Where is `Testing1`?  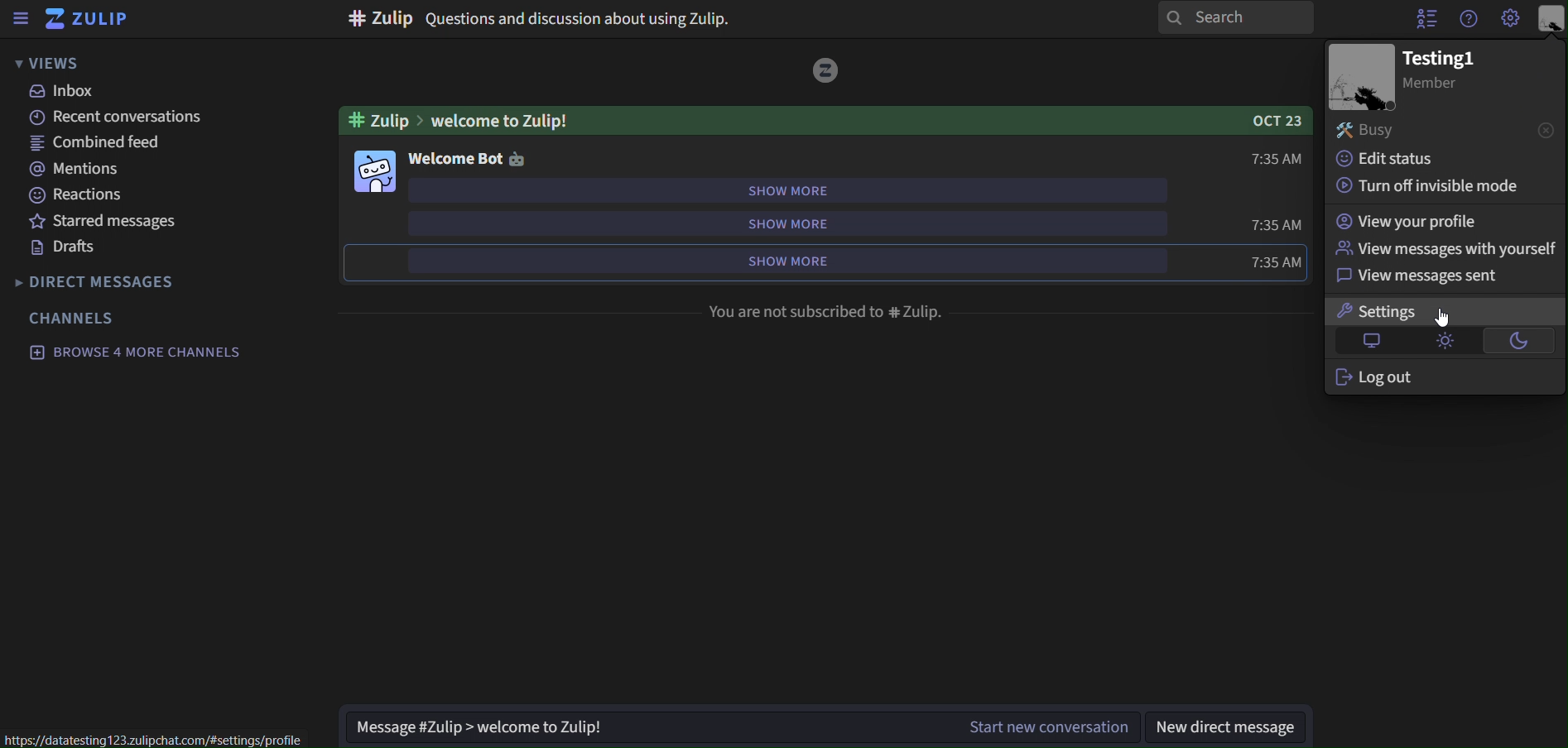
Testing1 is located at coordinates (1436, 58).